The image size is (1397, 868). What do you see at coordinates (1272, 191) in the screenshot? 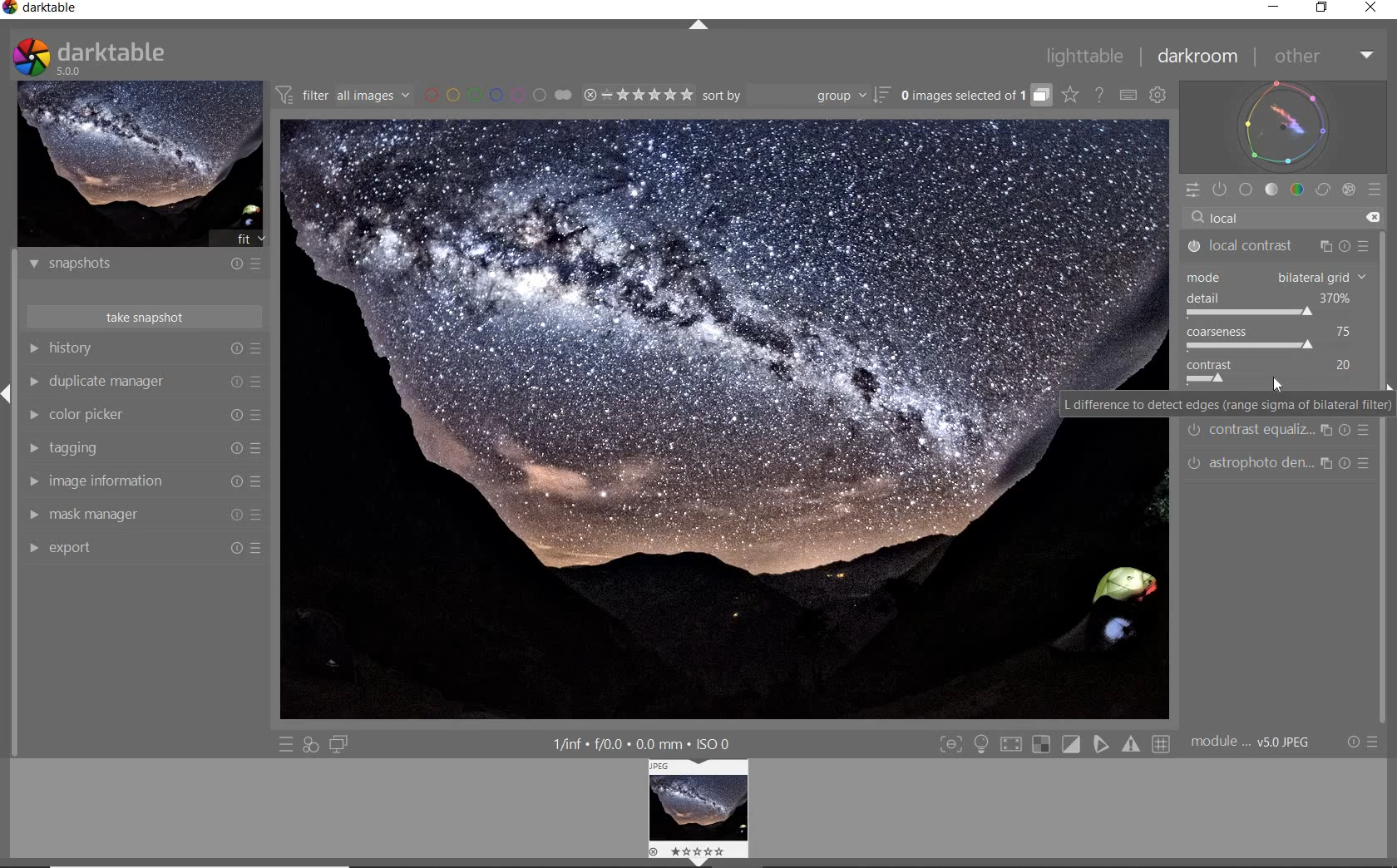
I see `TONE` at bounding box center [1272, 191].